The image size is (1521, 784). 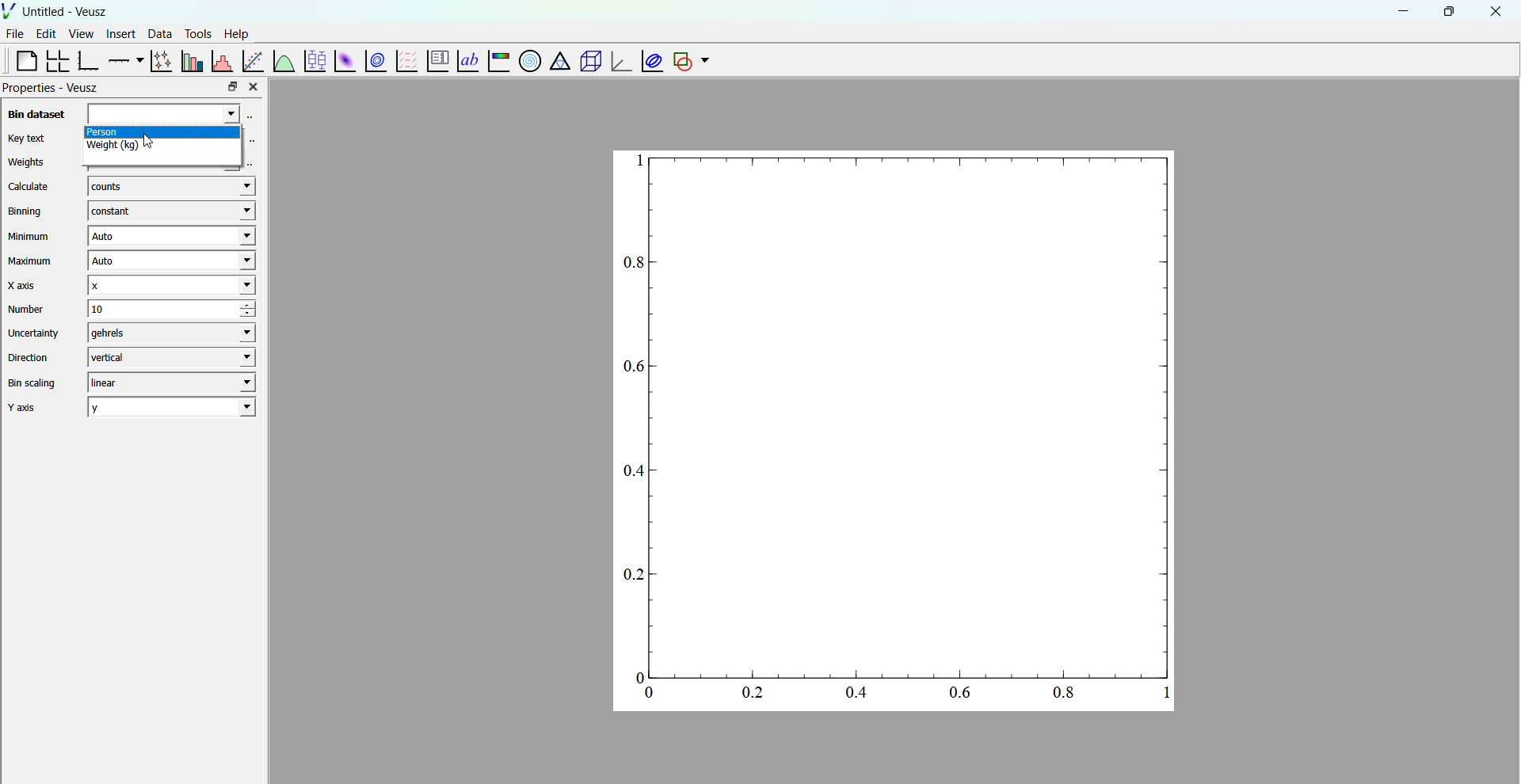 I want to click on plot box plots, so click(x=314, y=61).